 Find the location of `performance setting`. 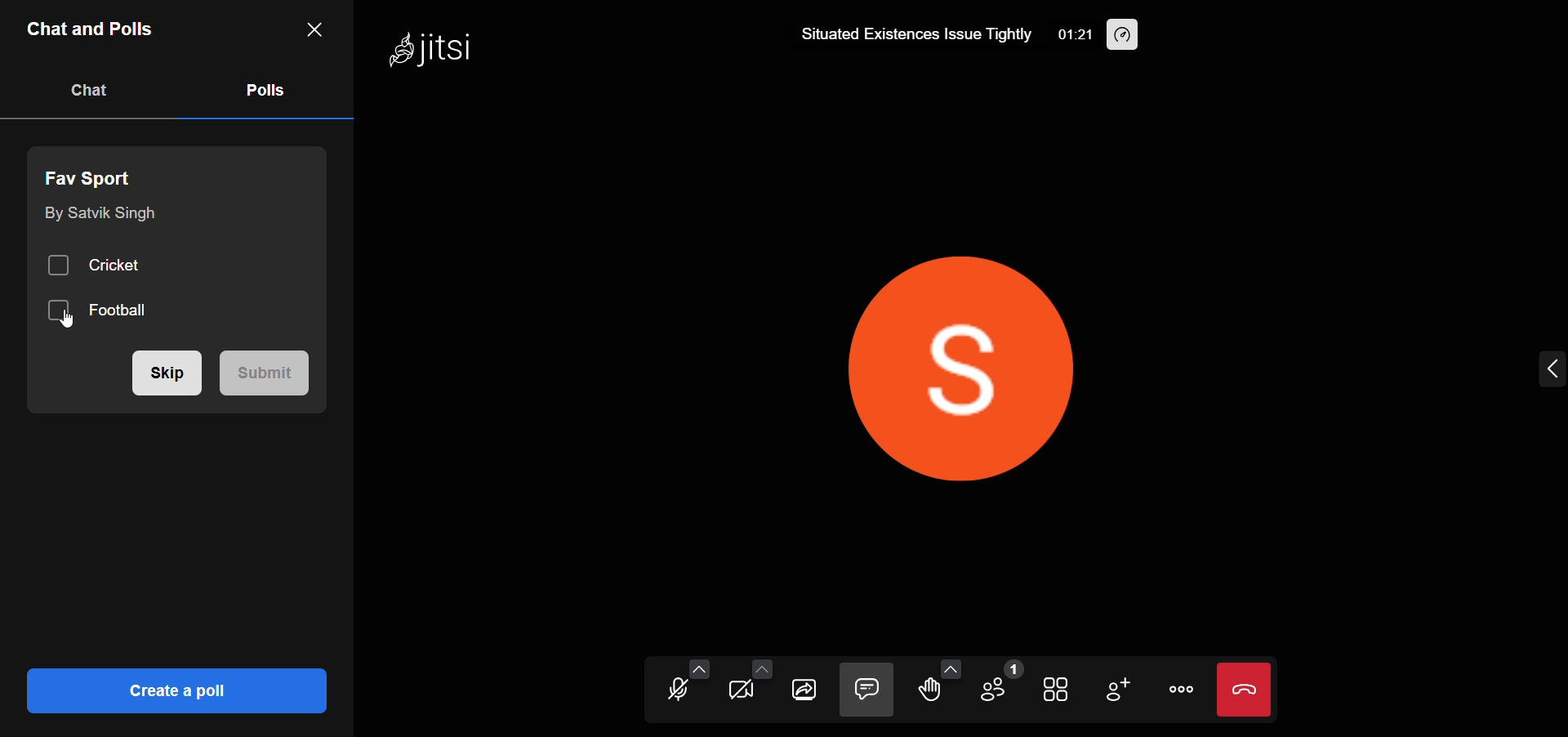

performance setting is located at coordinates (1137, 38).